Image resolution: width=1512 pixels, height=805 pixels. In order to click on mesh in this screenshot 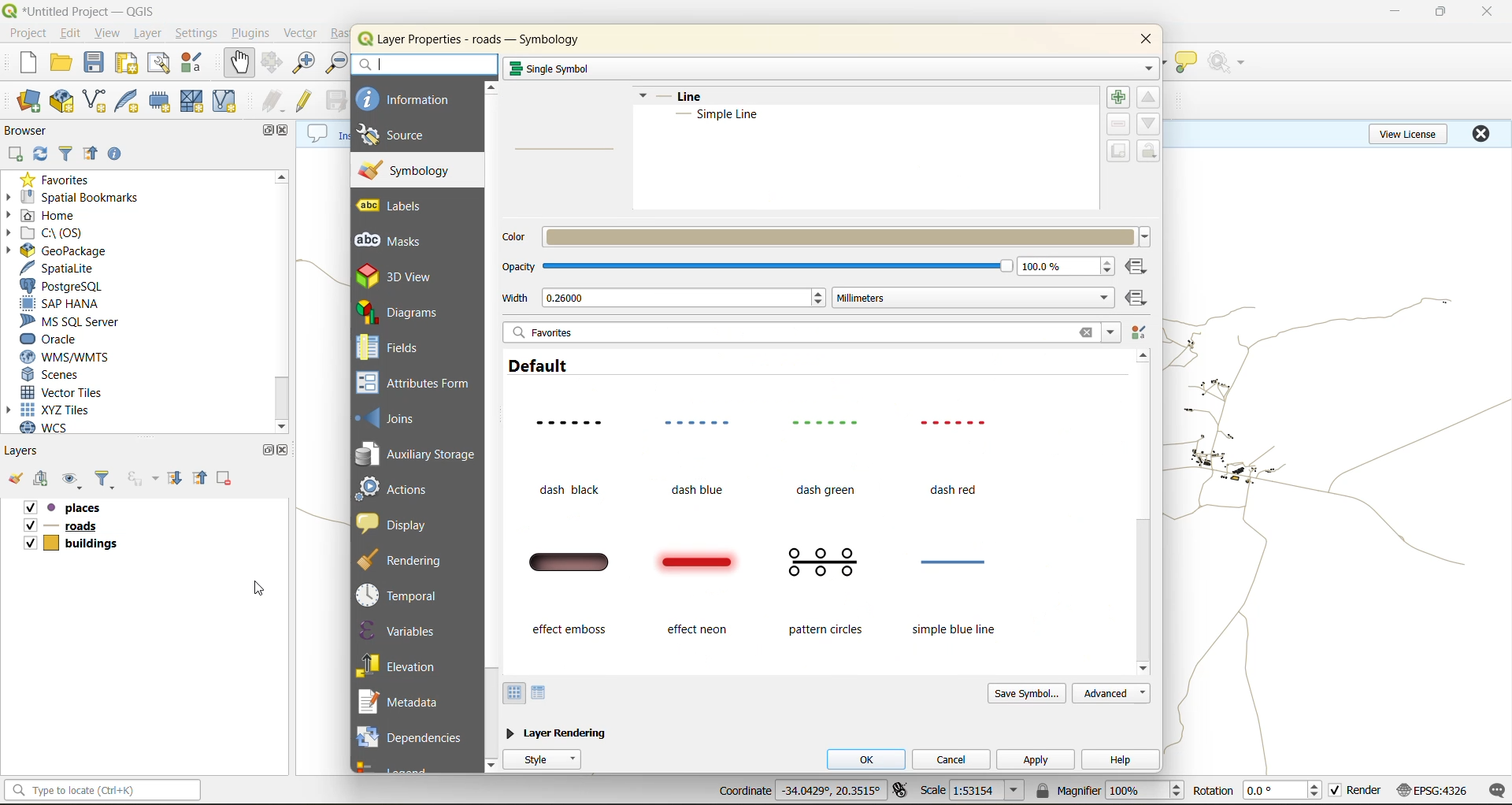, I will do `click(191, 102)`.